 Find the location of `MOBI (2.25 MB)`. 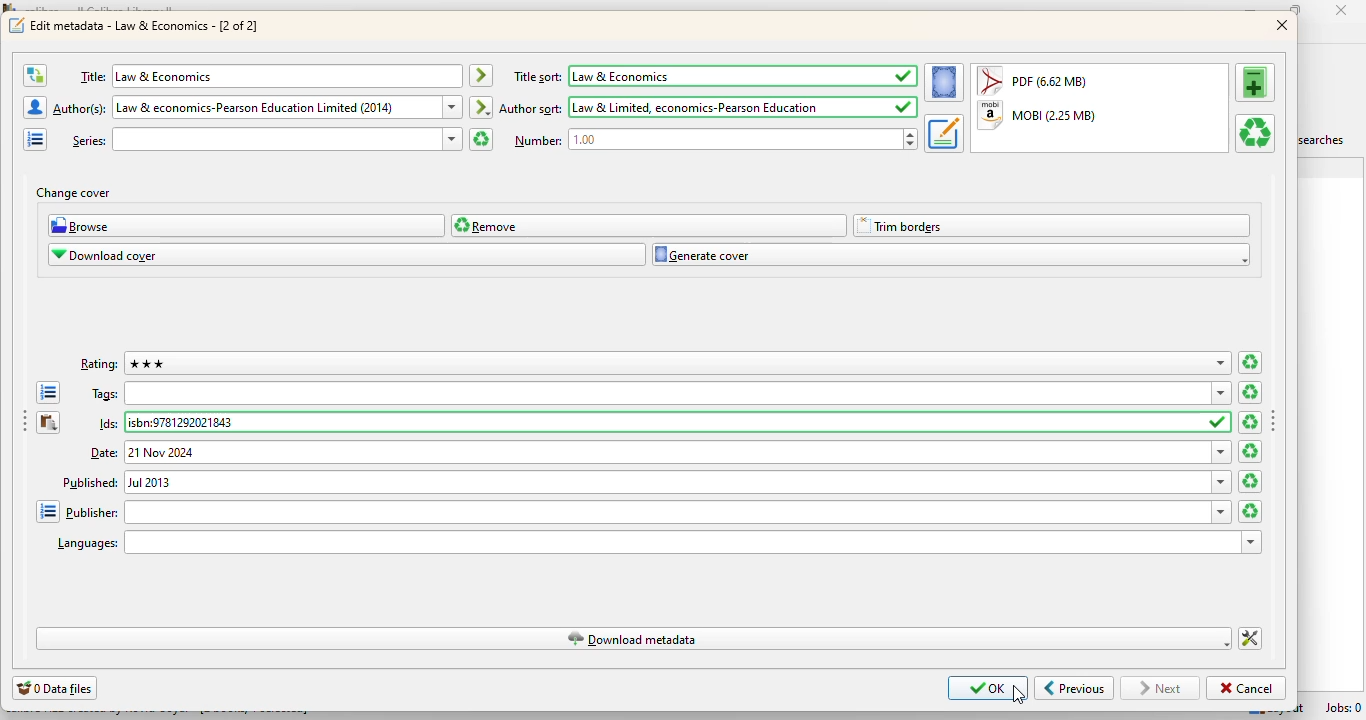

MOBI (2.25 MB) is located at coordinates (1038, 116).